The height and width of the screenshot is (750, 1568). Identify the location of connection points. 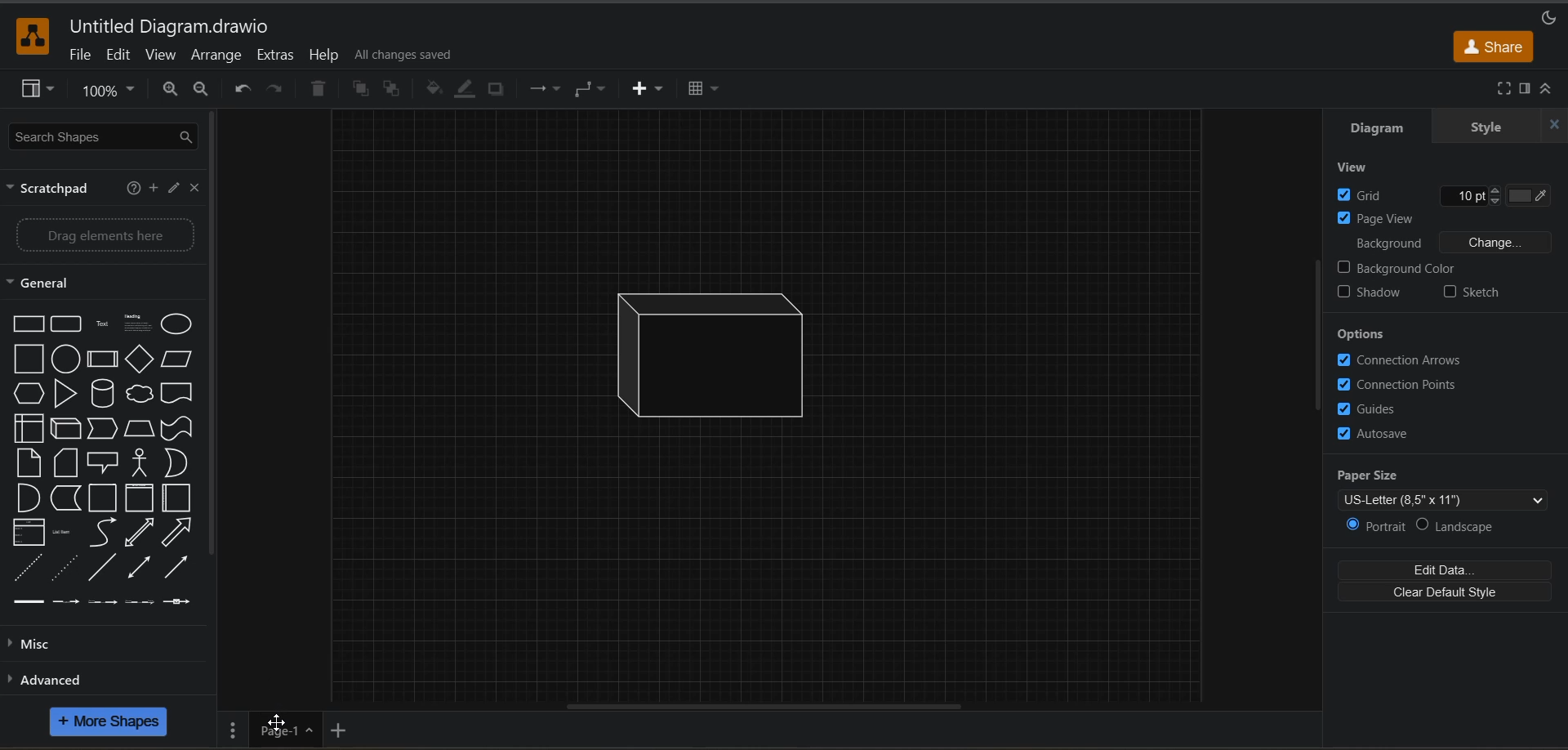
(1401, 382).